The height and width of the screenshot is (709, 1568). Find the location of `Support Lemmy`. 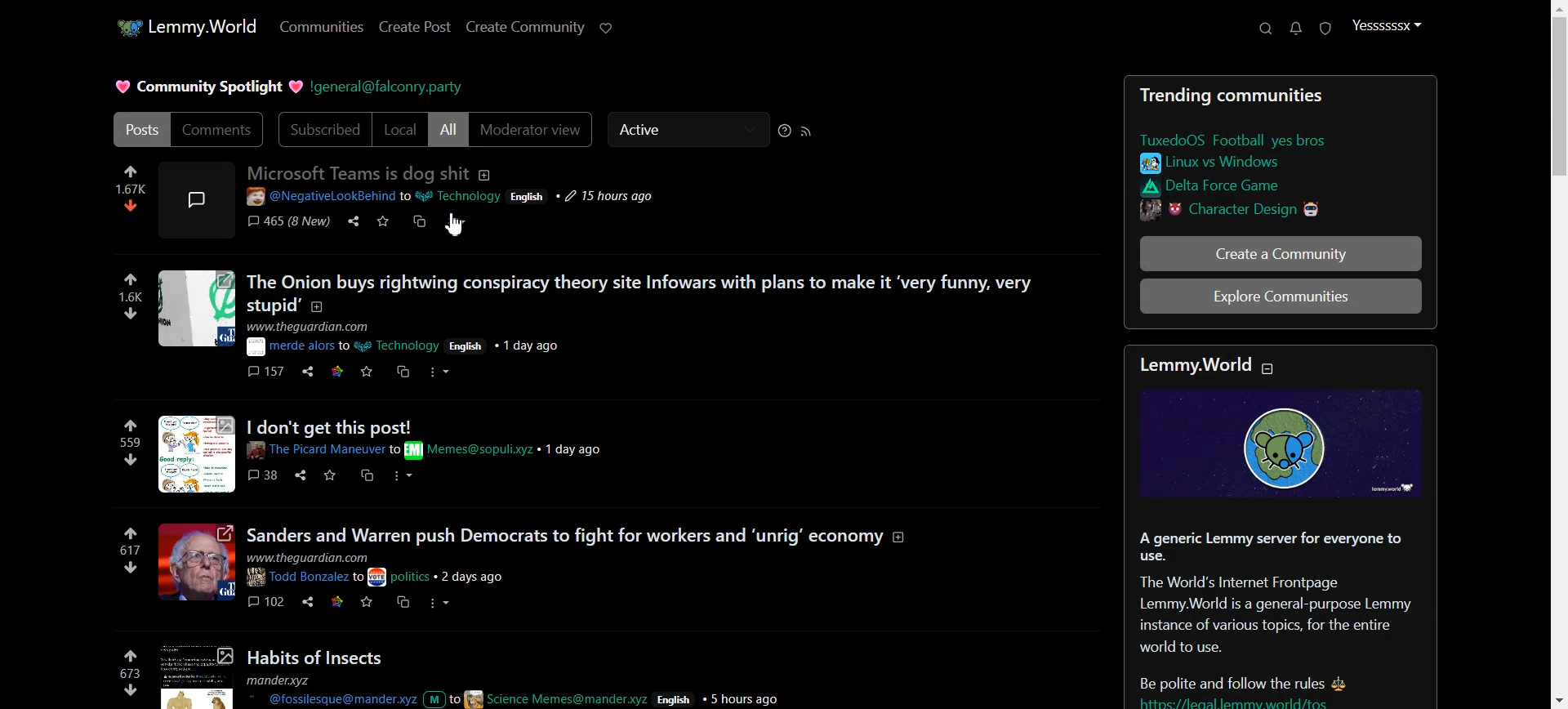

Support Lemmy is located at coordinates (606, 29).